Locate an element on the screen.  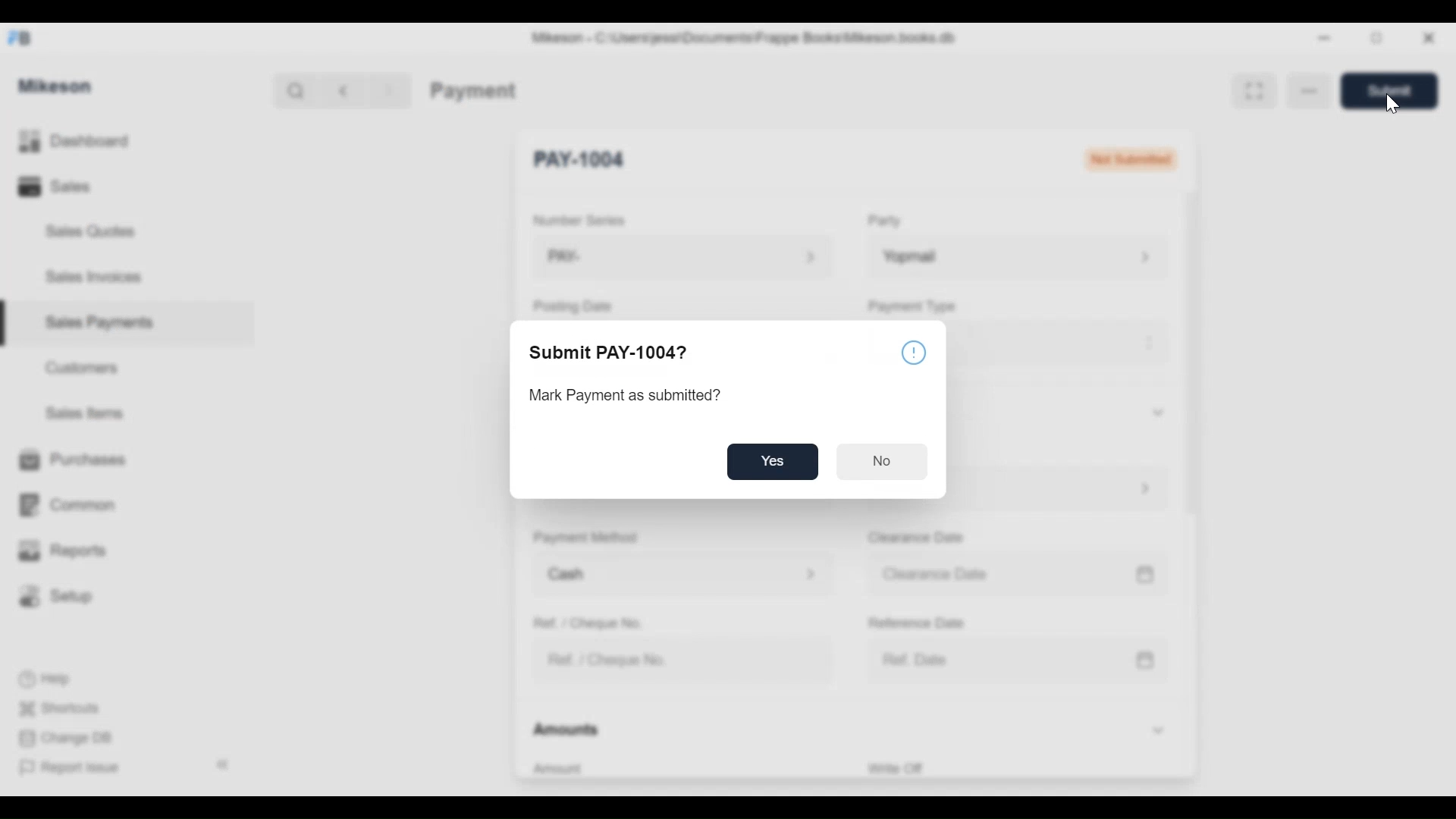
No is located at coordinates (883, 460).